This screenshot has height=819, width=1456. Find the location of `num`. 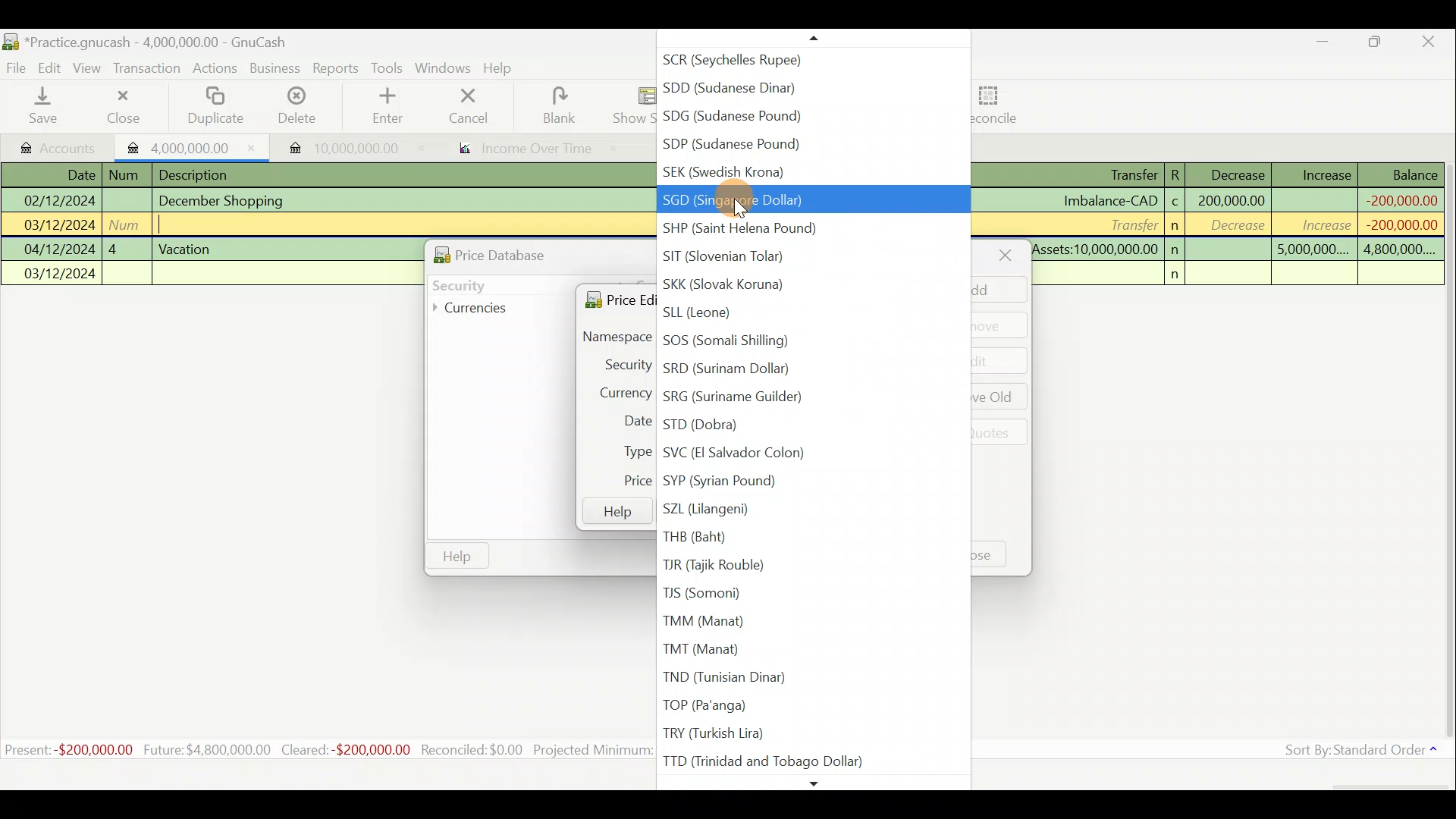

num is located at coordinates (127, 175).